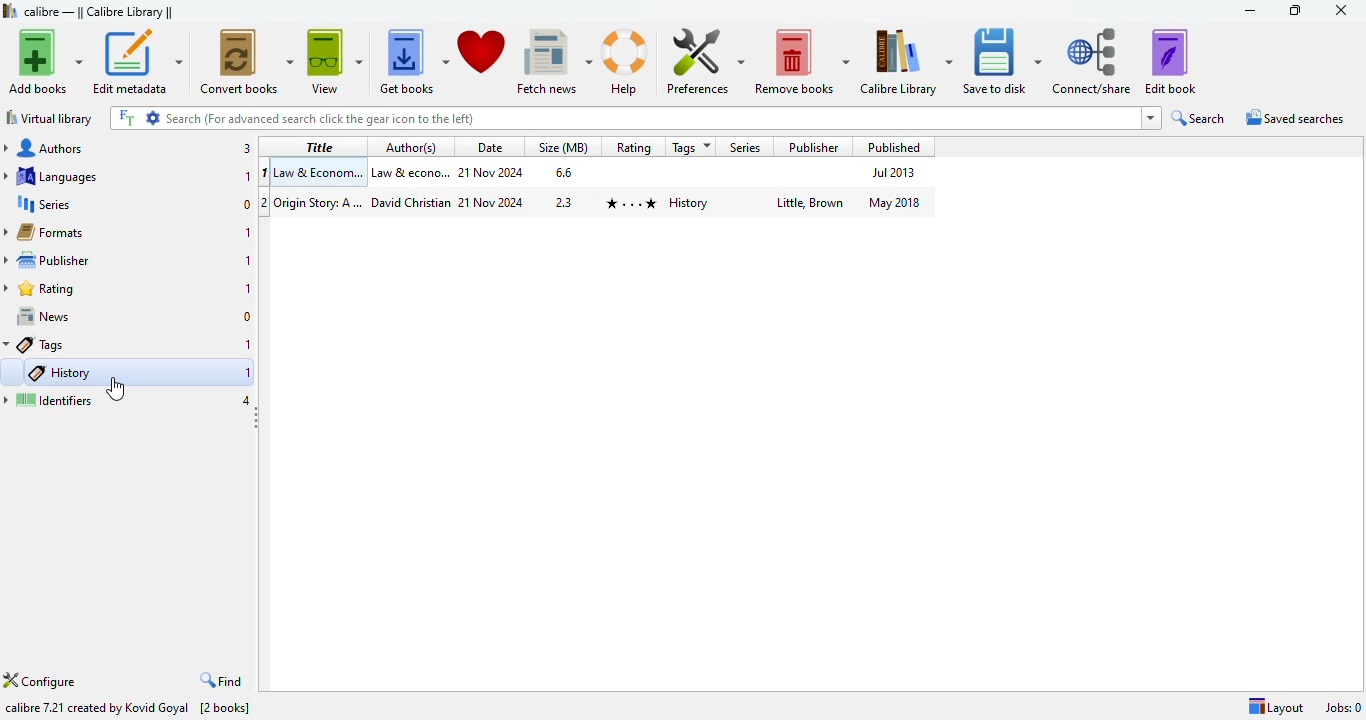  I want to click on law & economics, so click(320, 174).